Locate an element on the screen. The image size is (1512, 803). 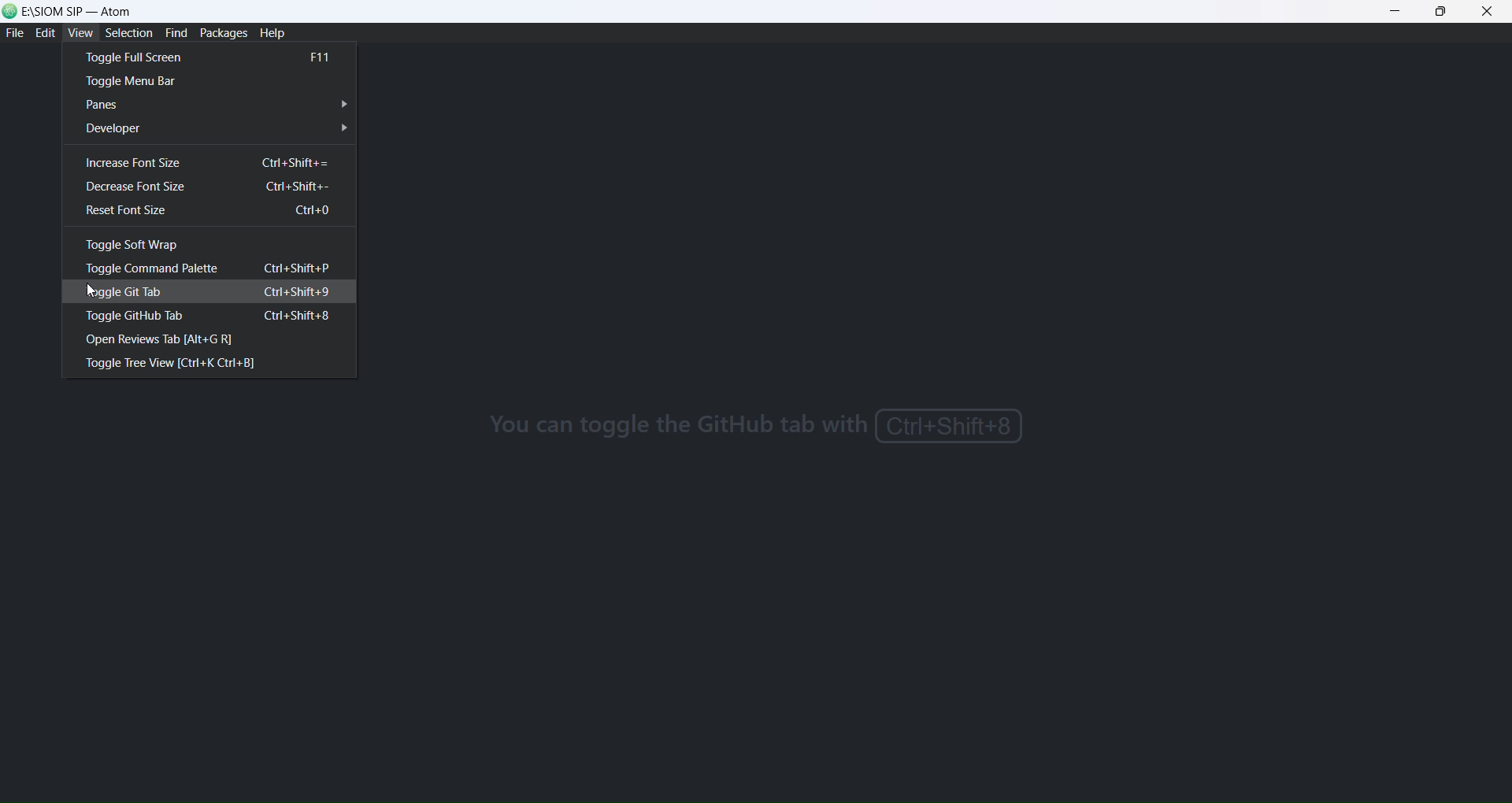
toggle tree view is located at coordinates (172, 362).